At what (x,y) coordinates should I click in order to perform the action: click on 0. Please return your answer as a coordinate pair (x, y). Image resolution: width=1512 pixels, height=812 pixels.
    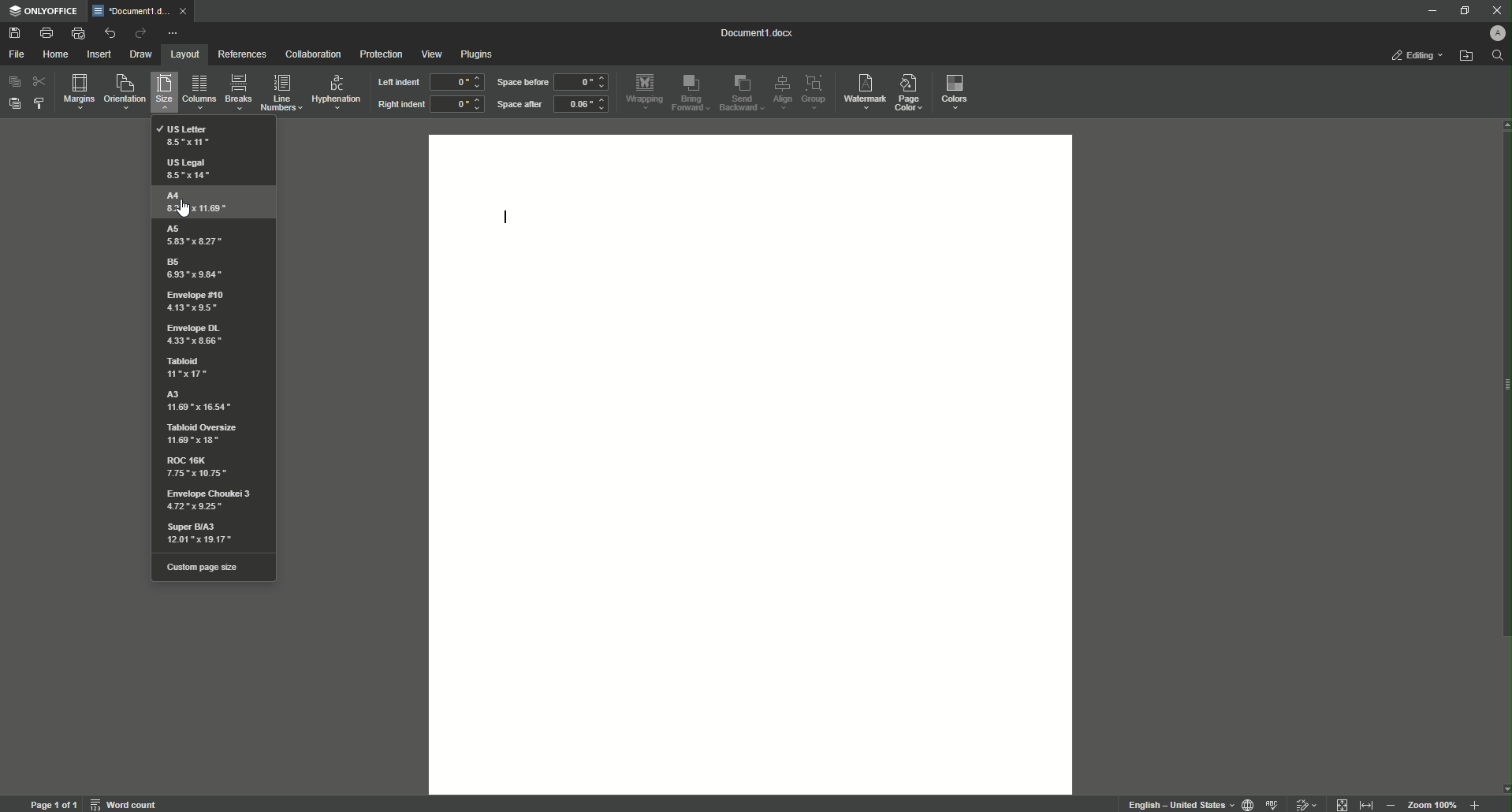
    Looking at the image, I should click on (584, 82).